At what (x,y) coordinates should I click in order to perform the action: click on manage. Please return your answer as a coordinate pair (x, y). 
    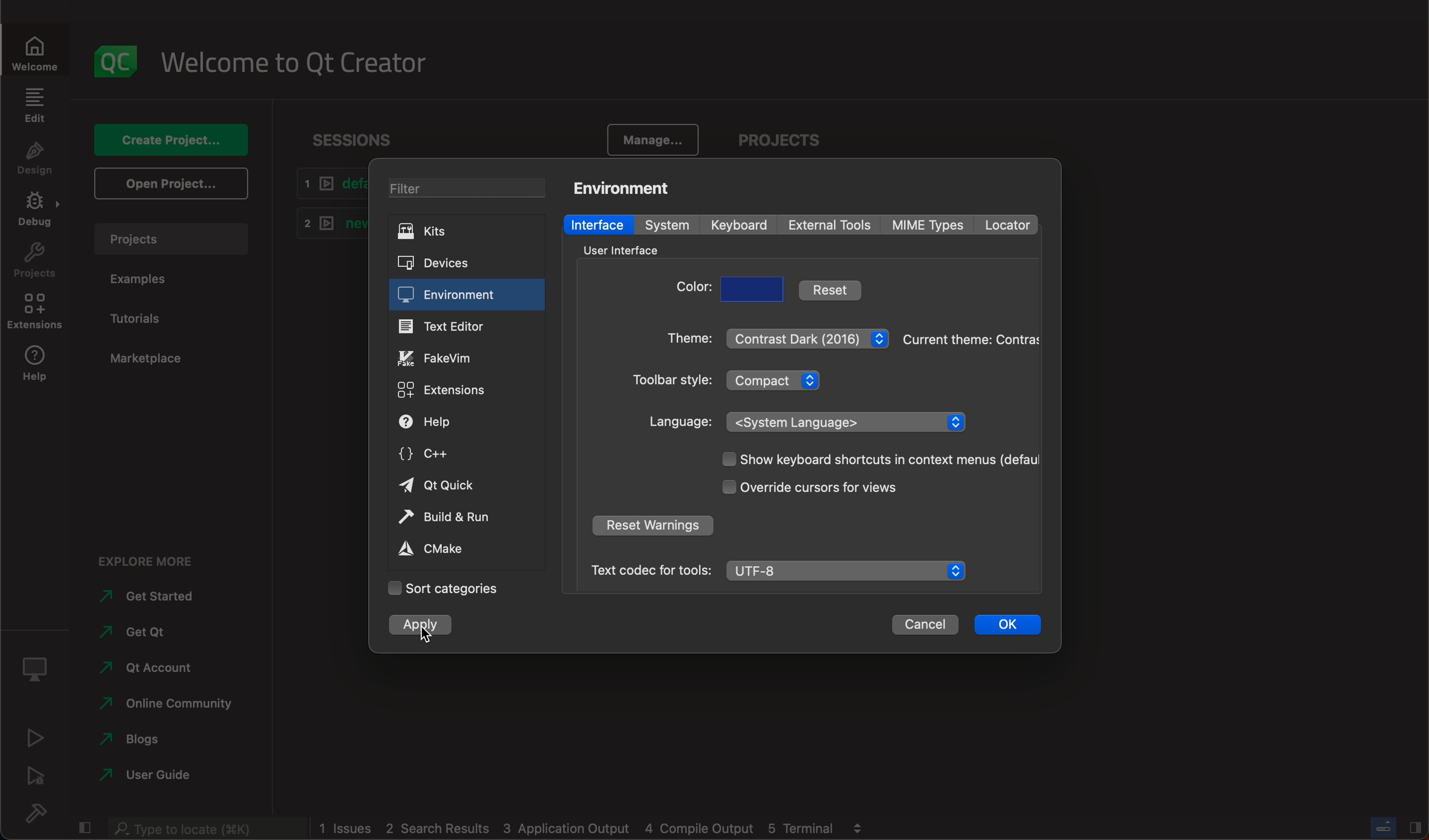
    Looking at the image, I should click on (655, 137).